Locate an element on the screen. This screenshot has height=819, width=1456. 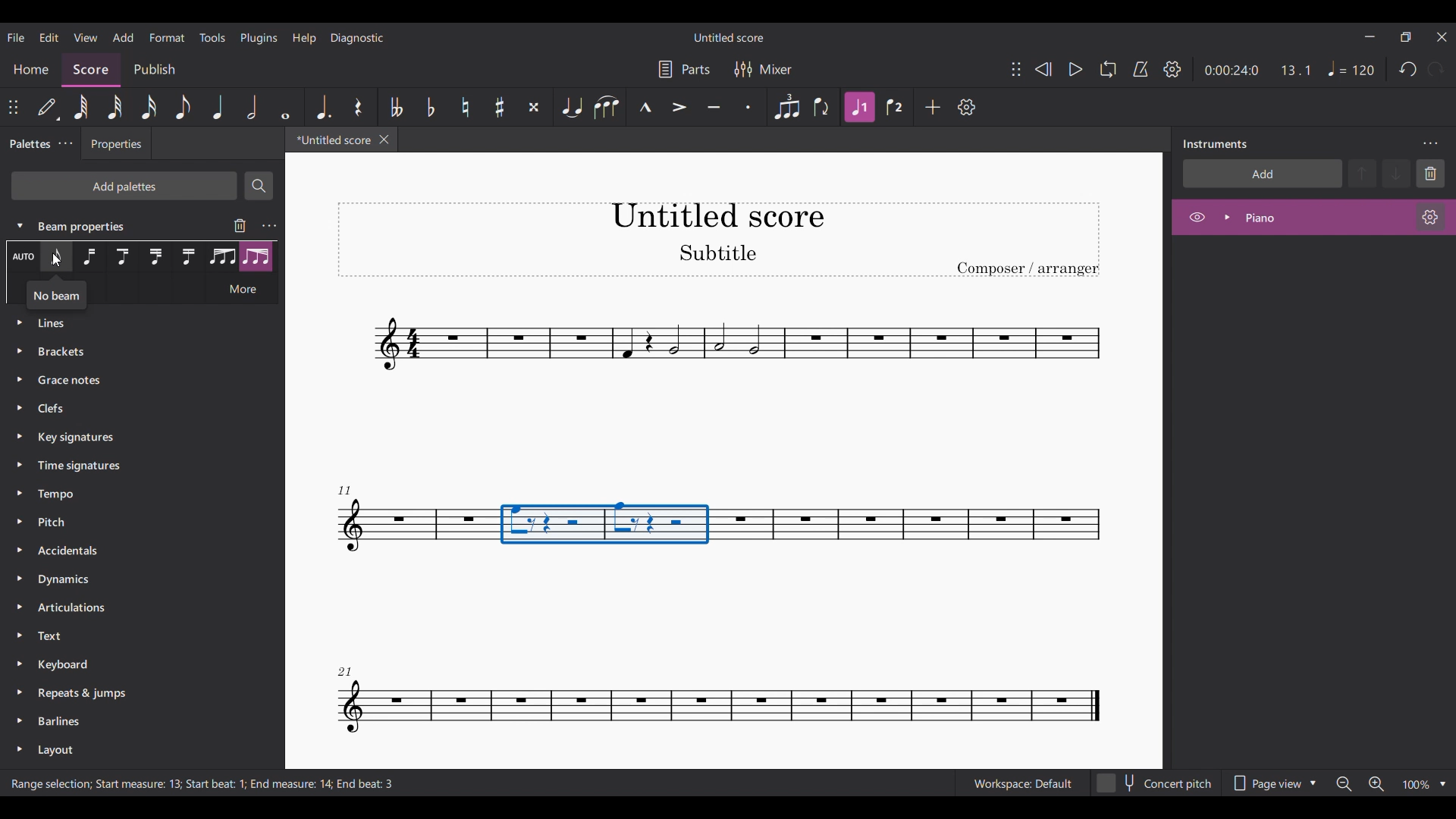
Tempo is located at coordinates (1351, 68).